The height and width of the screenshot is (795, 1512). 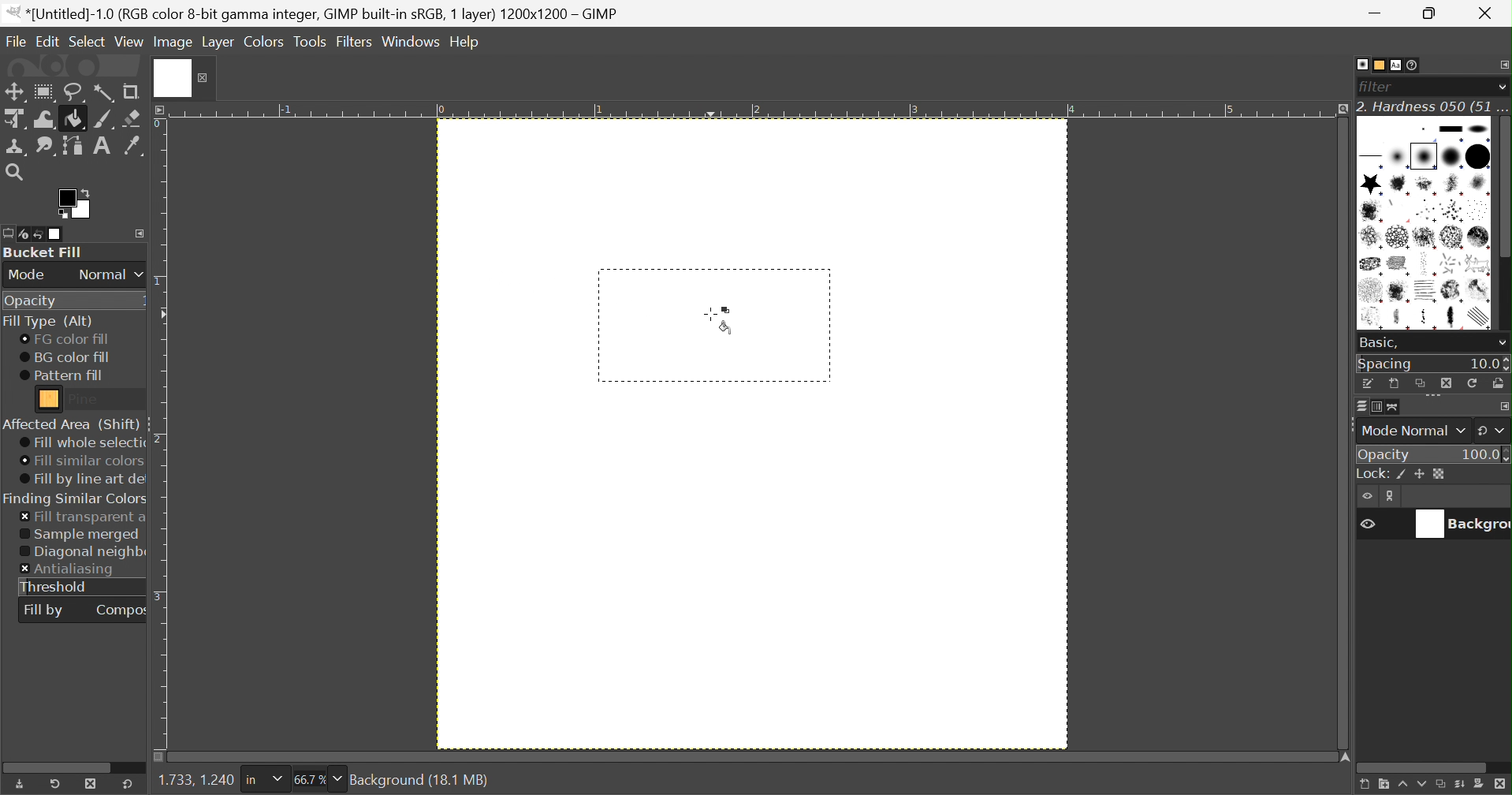 I want to click on View, so click(x=129, y=43).